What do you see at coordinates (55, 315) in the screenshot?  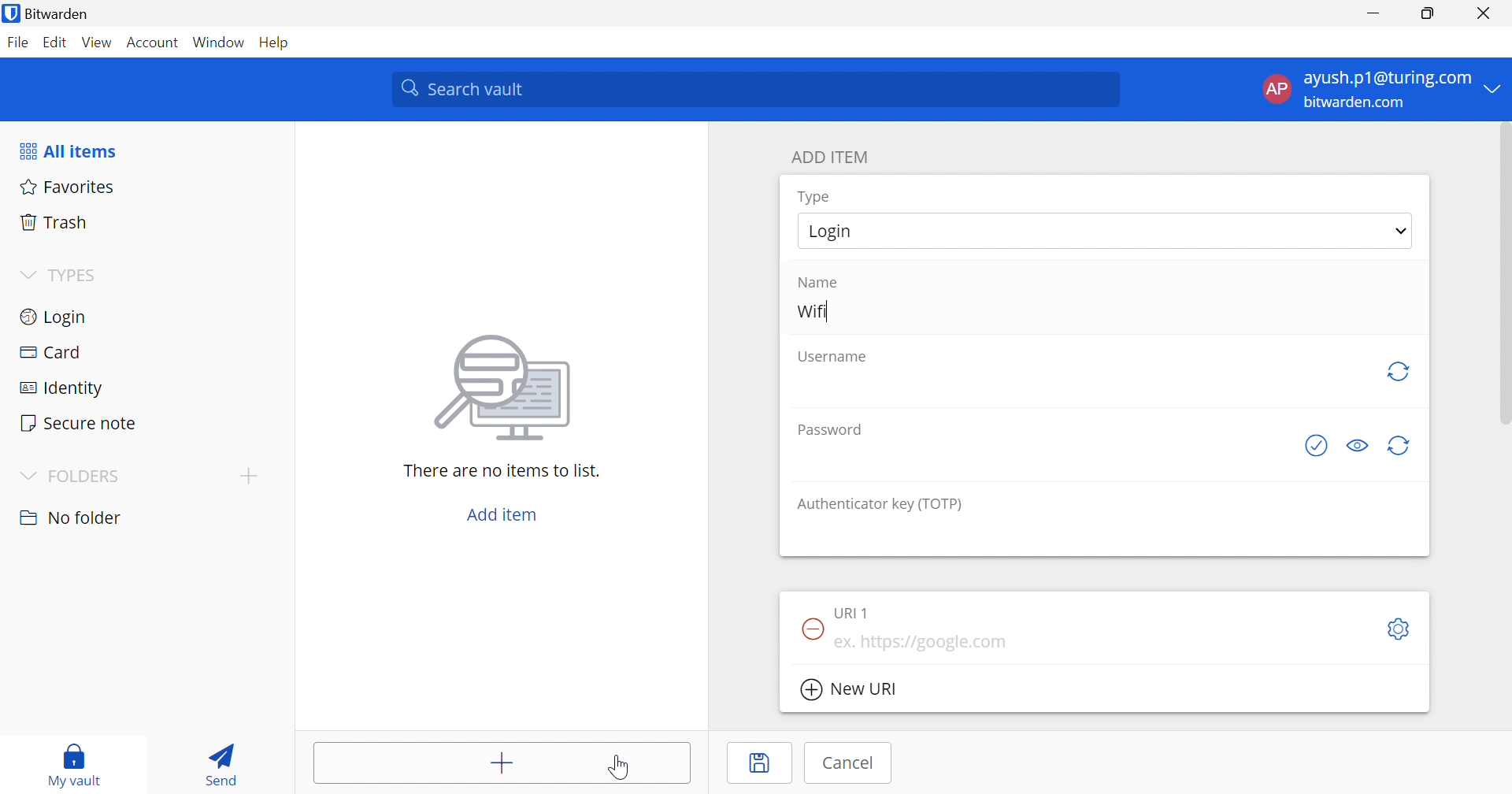 I see `Login` at bounding box center [55, 315].